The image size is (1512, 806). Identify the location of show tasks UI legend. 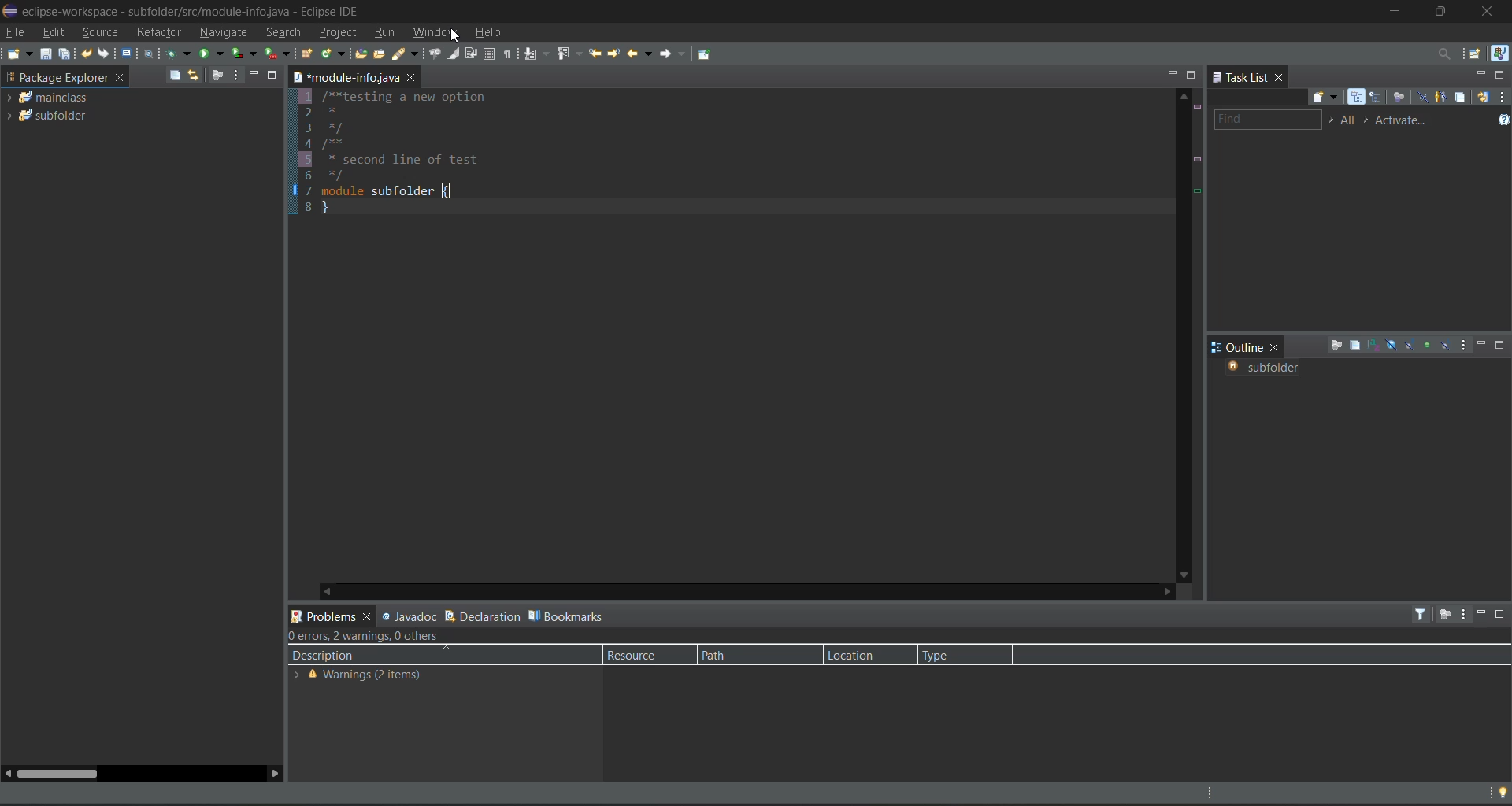
(1502, 119).